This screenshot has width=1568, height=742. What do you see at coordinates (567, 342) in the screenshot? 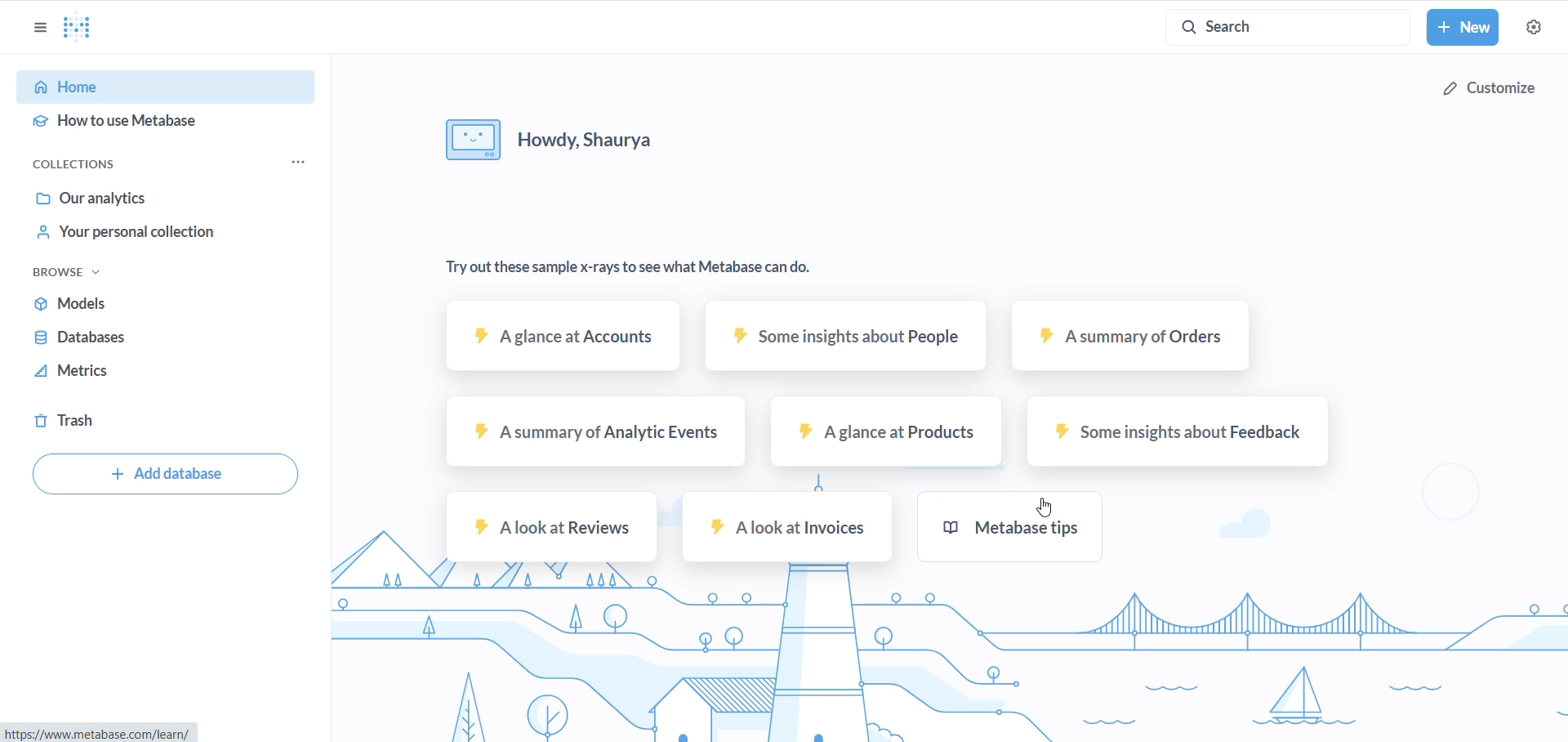
I see `A glance at accounts sample` at bounding box center [567, 342].